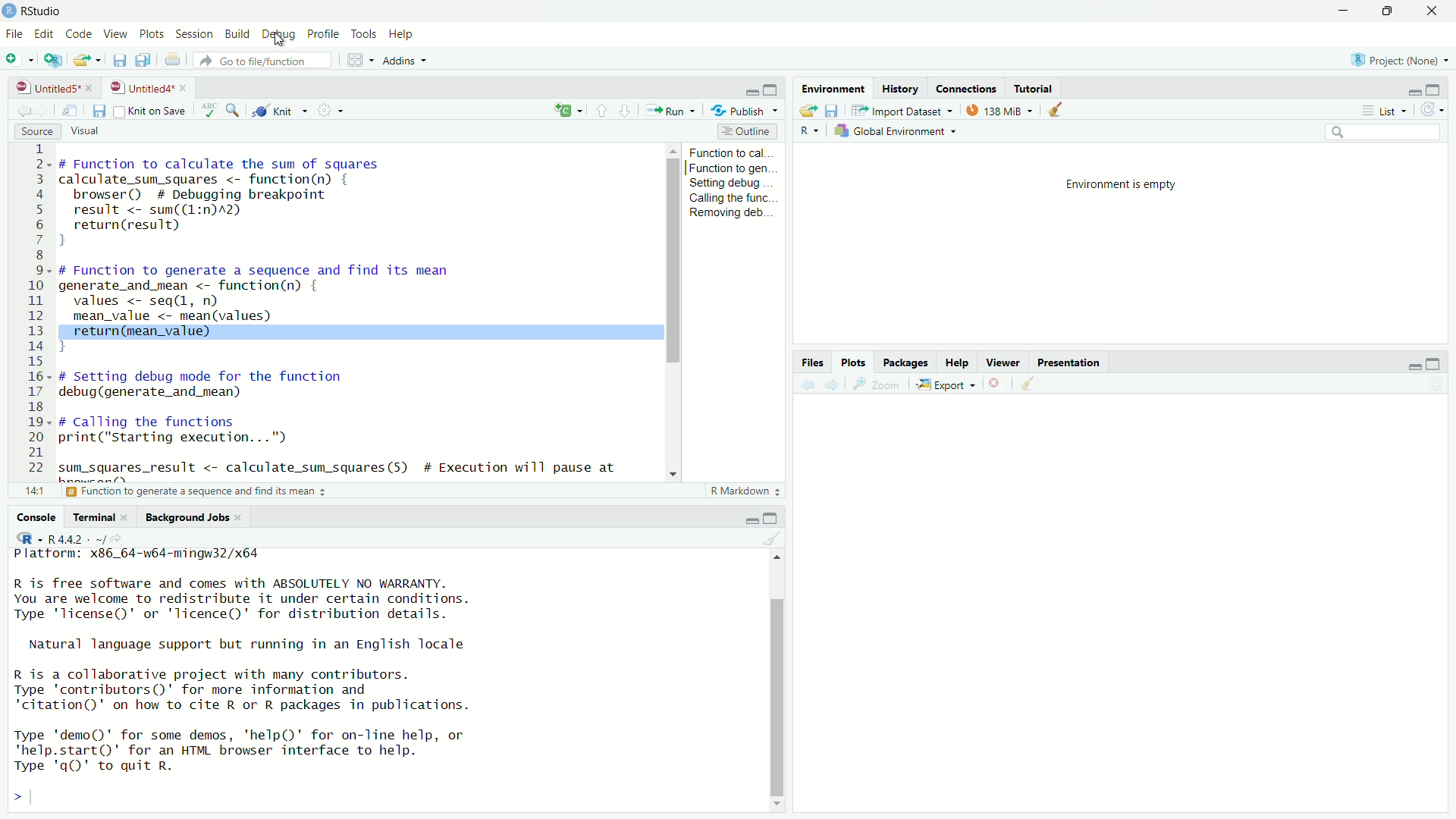 The width and height of the screenshot is (1456, 819). I want to click on export, so click(946, 385).